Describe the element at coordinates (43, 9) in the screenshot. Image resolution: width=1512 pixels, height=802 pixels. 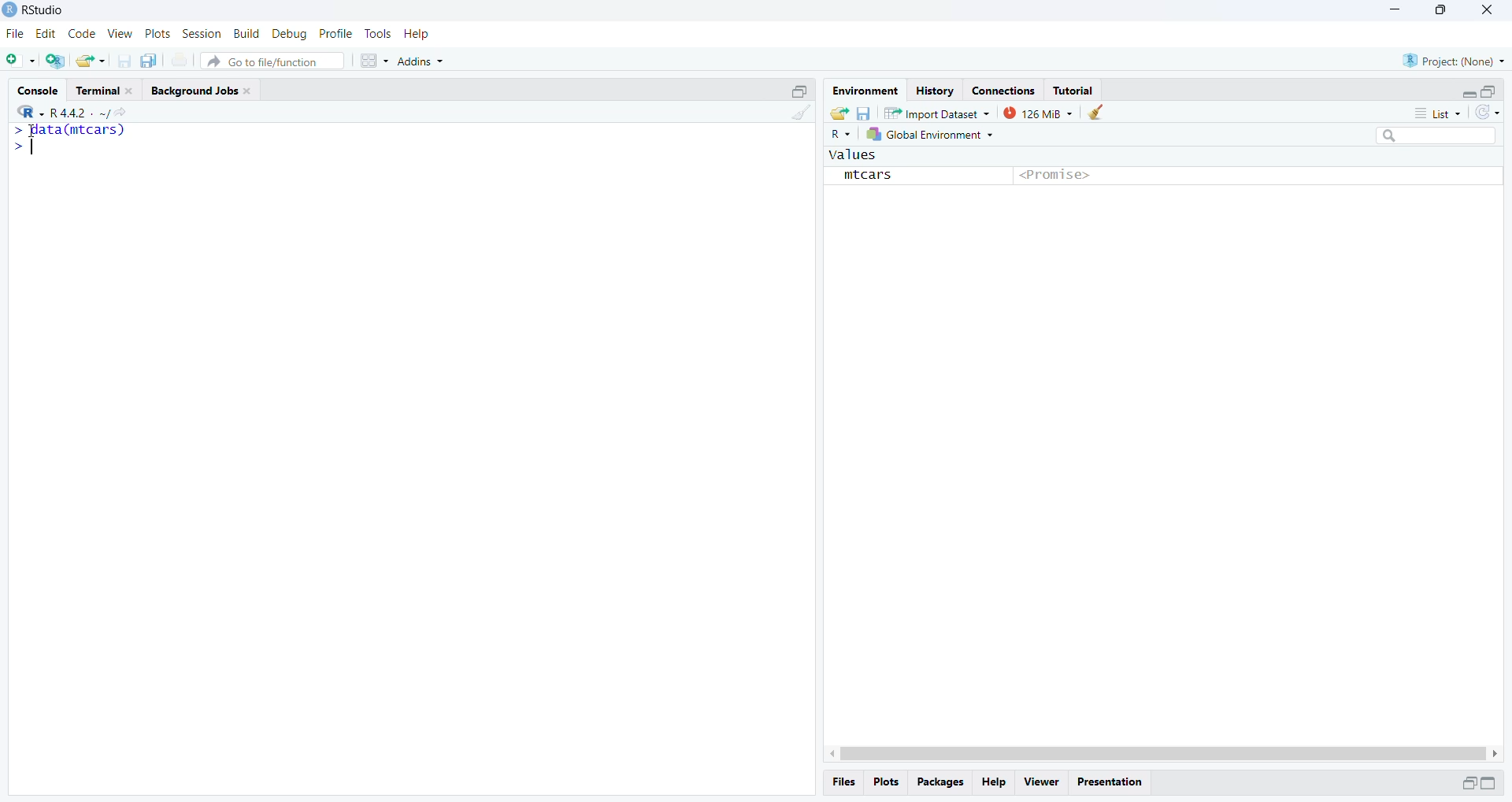
I see `RStudio` at that location.